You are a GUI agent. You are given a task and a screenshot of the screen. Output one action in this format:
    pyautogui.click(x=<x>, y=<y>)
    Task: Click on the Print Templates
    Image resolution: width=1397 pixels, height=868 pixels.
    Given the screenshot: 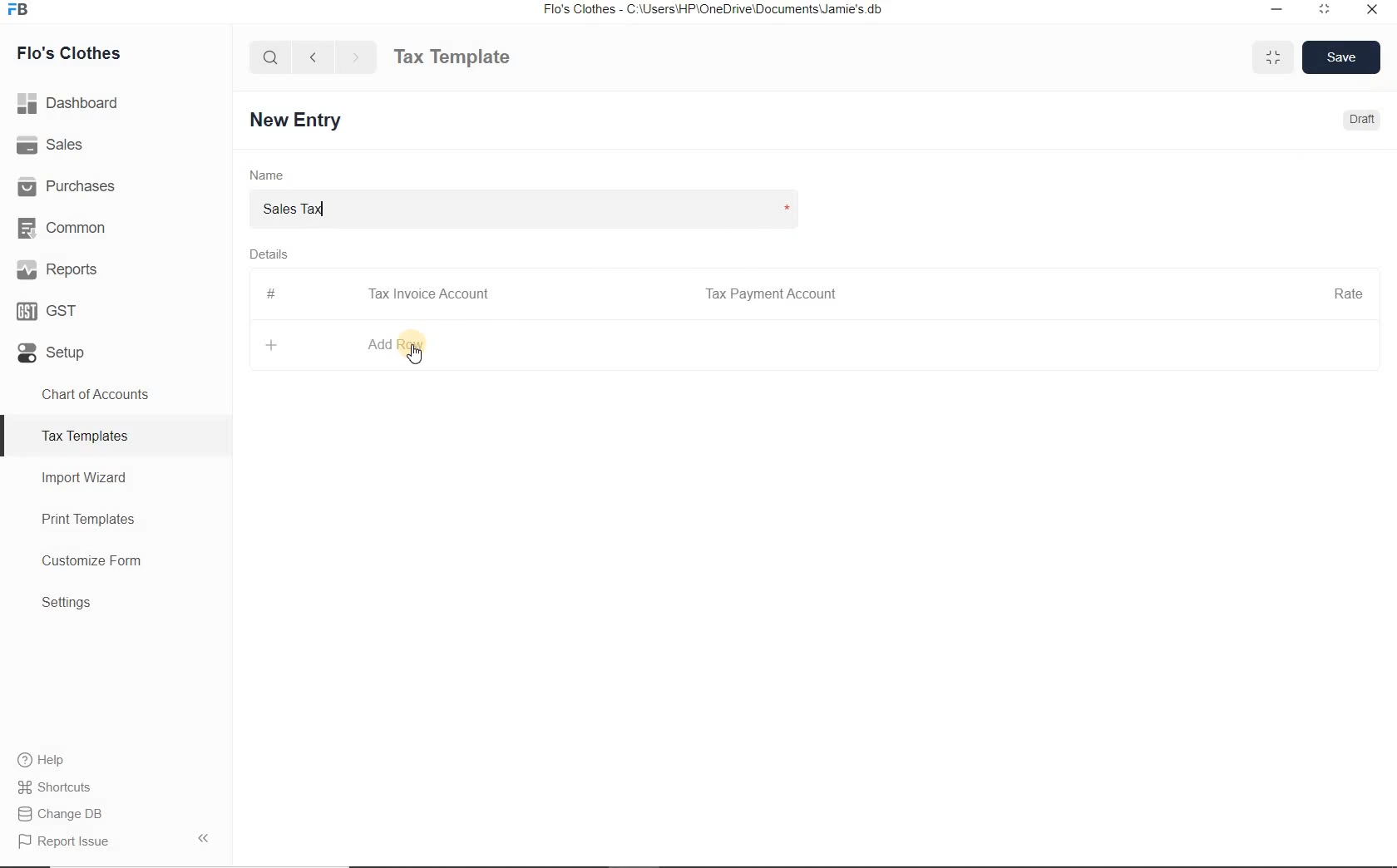 What is the action you would take?
    pyautogui.click(x=116, y=519)
    